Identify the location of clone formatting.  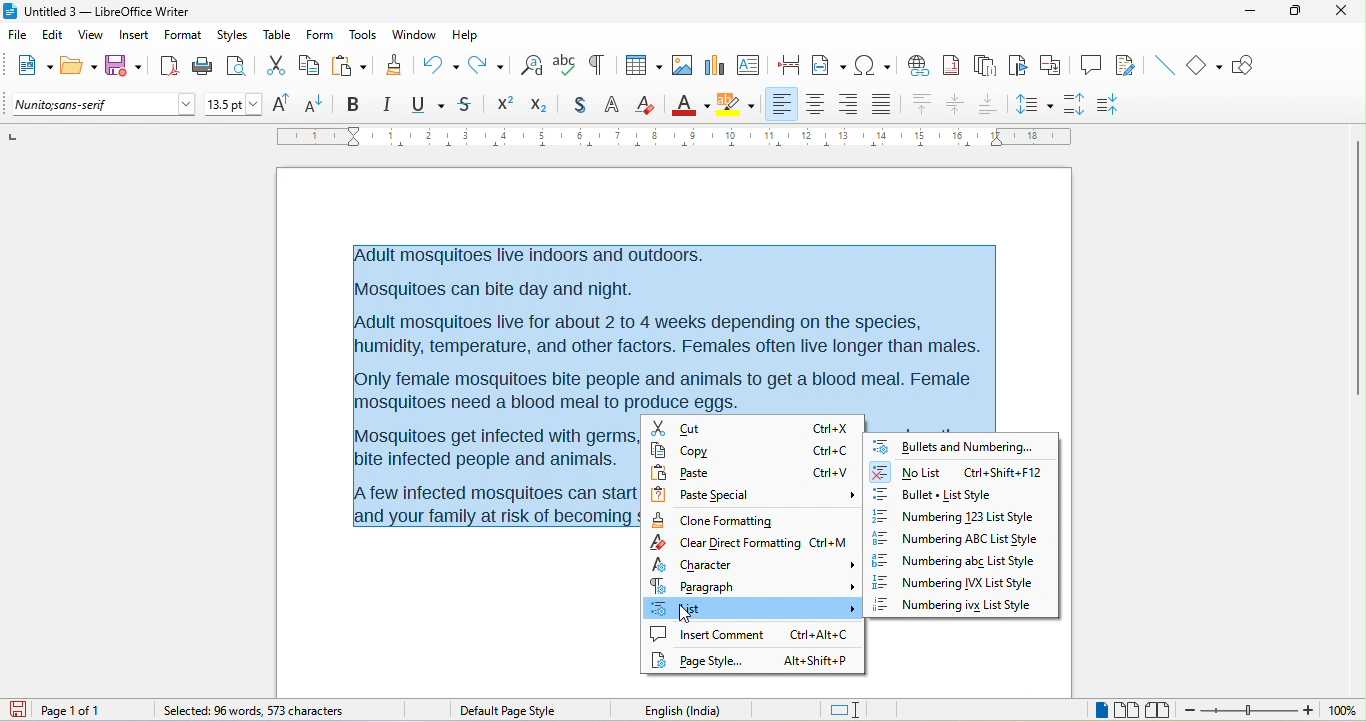
(397, 67).